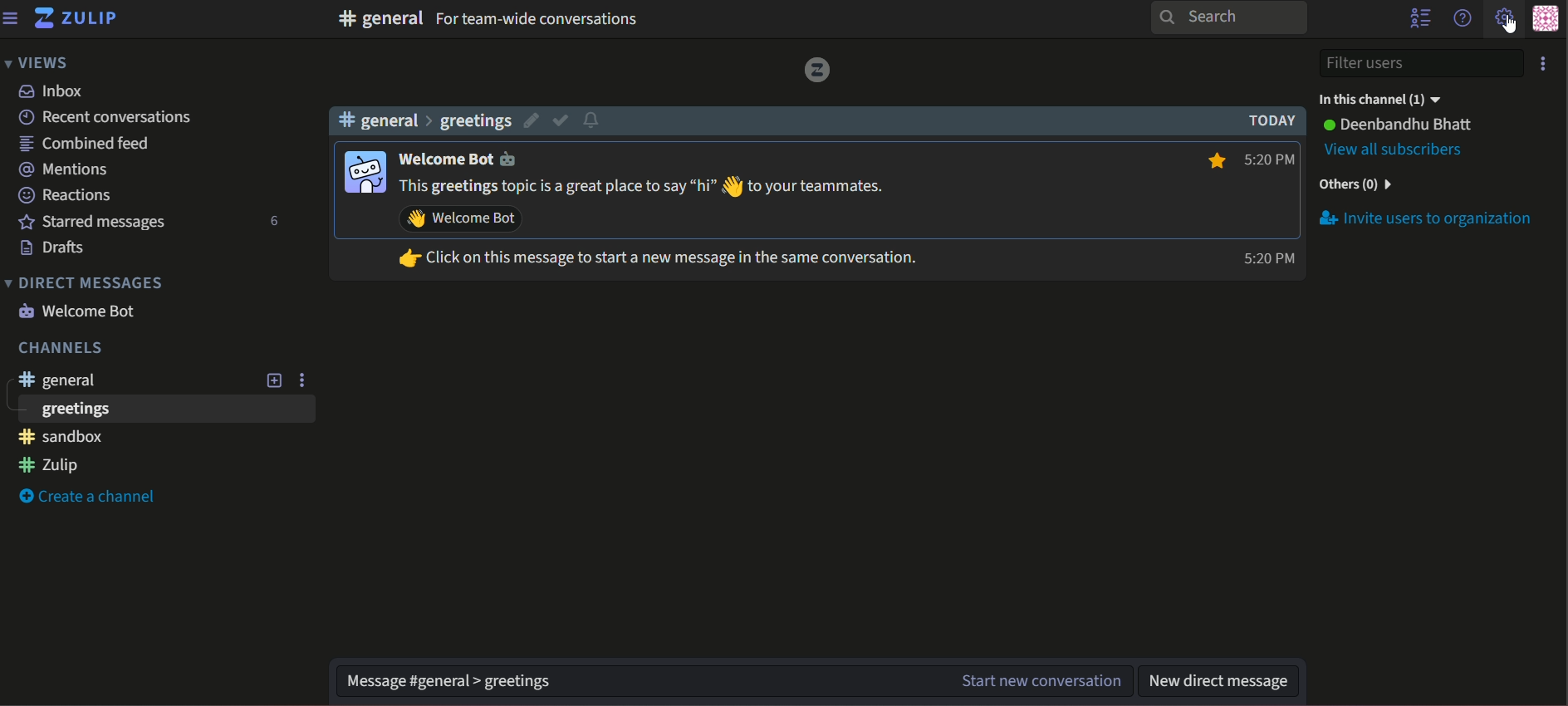  What do you see at coordinates (467, 159) in the screenshot?
I see `user name` at bounding box center [467, 159].